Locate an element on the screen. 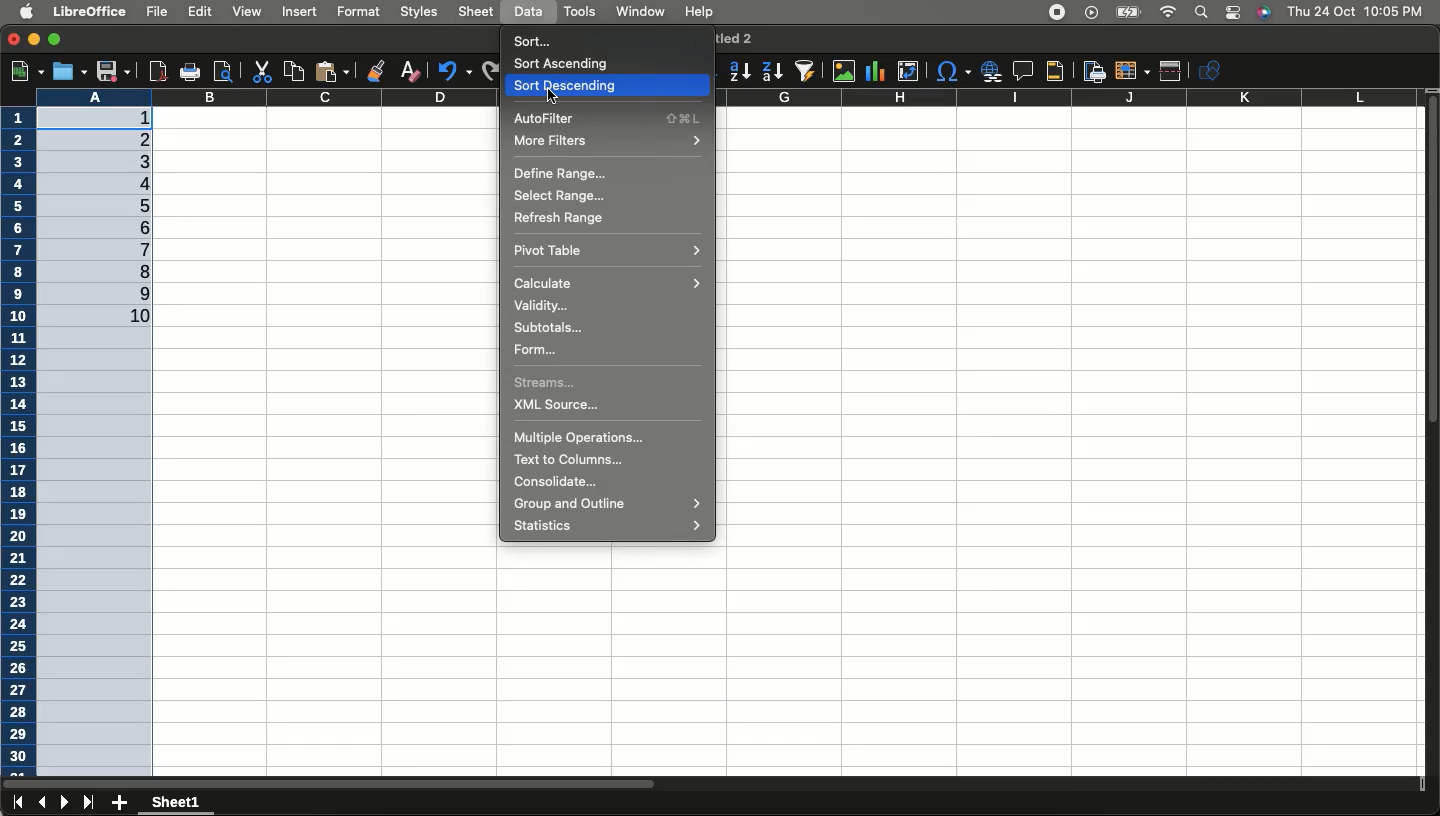 The image size is (1440, 816). Close is located at coordinates (14, 40).